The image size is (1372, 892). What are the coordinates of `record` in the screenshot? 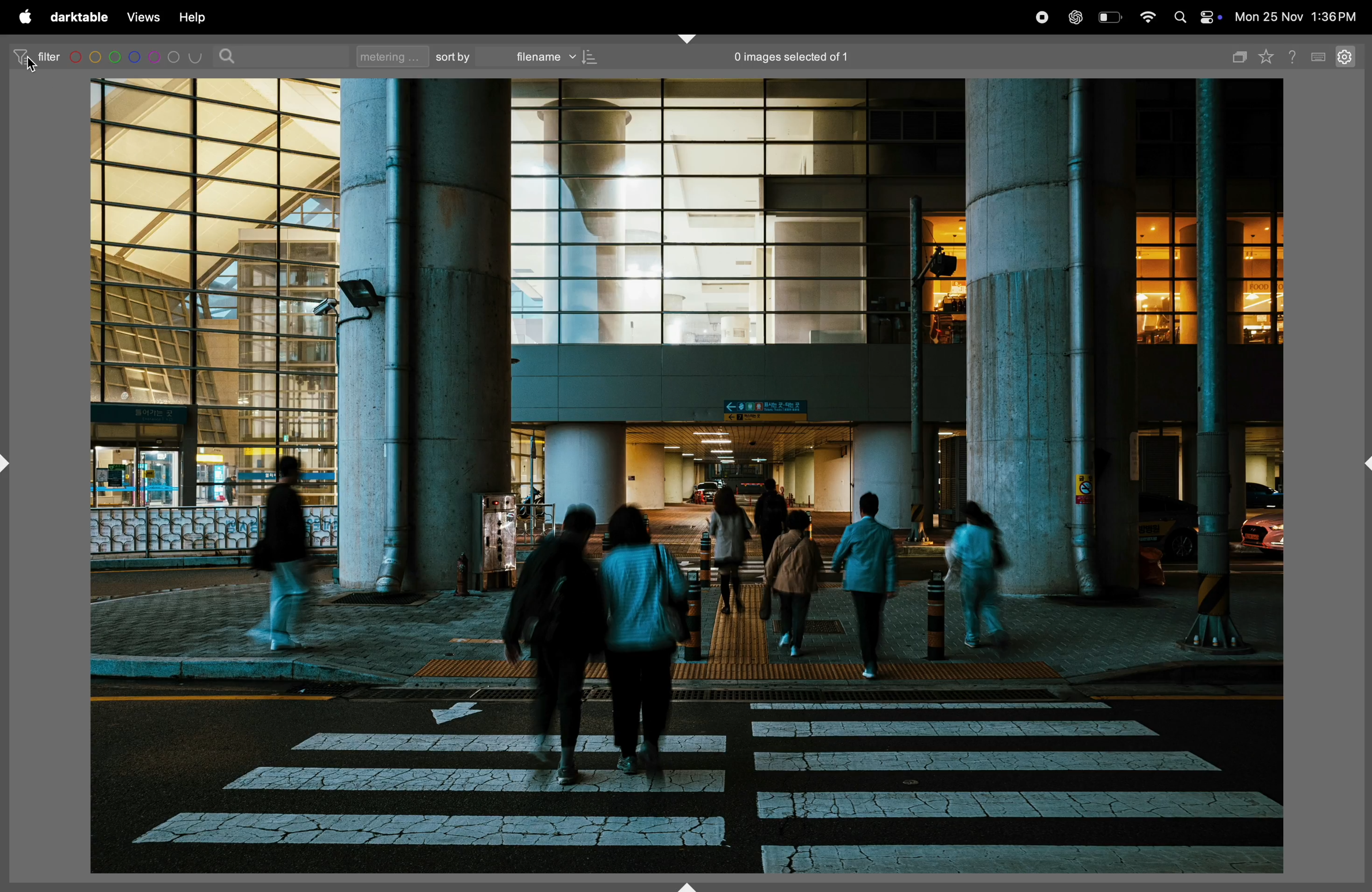 It's located at (1044, 16).